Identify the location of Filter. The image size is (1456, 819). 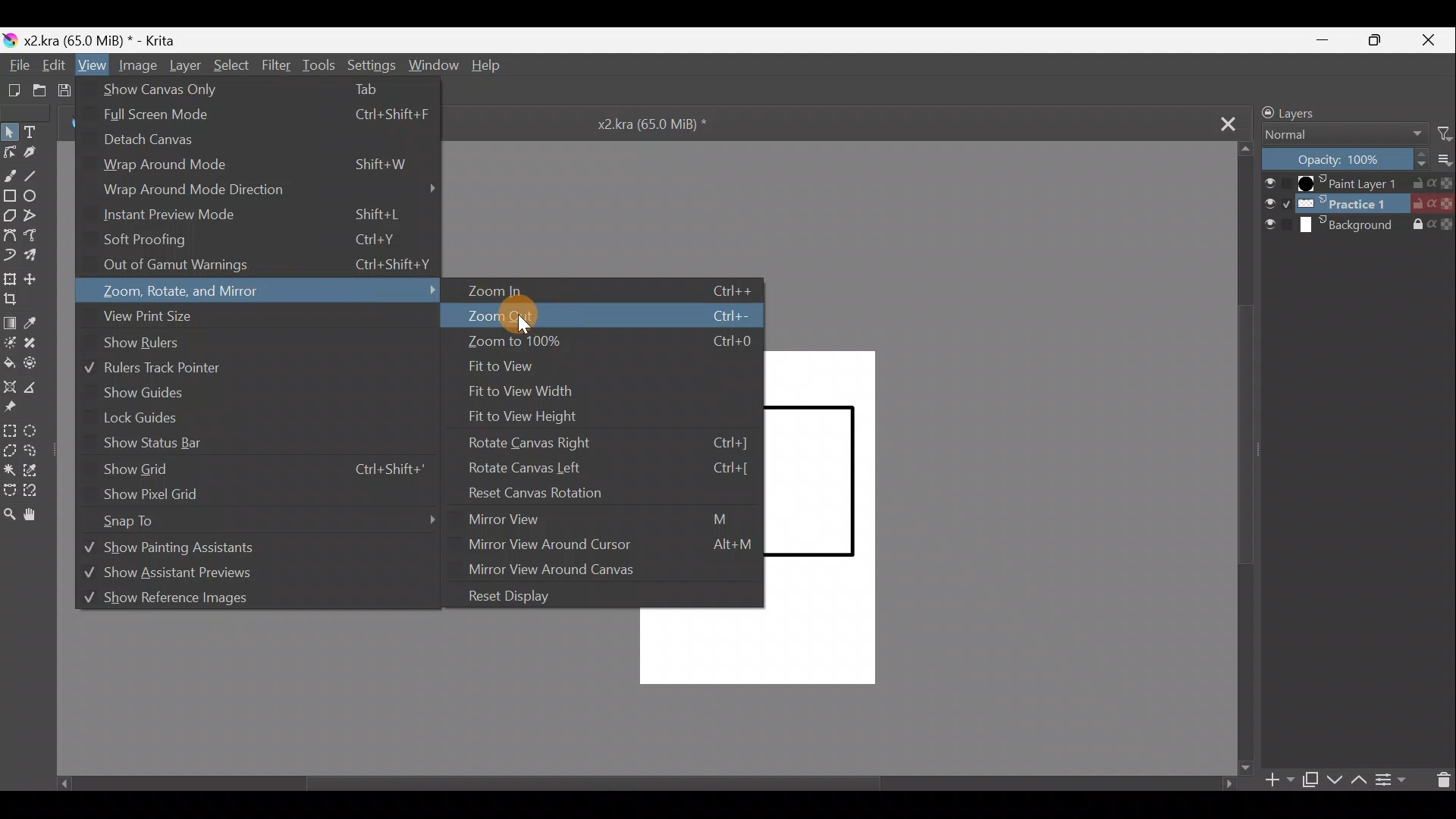
(1445, 133).